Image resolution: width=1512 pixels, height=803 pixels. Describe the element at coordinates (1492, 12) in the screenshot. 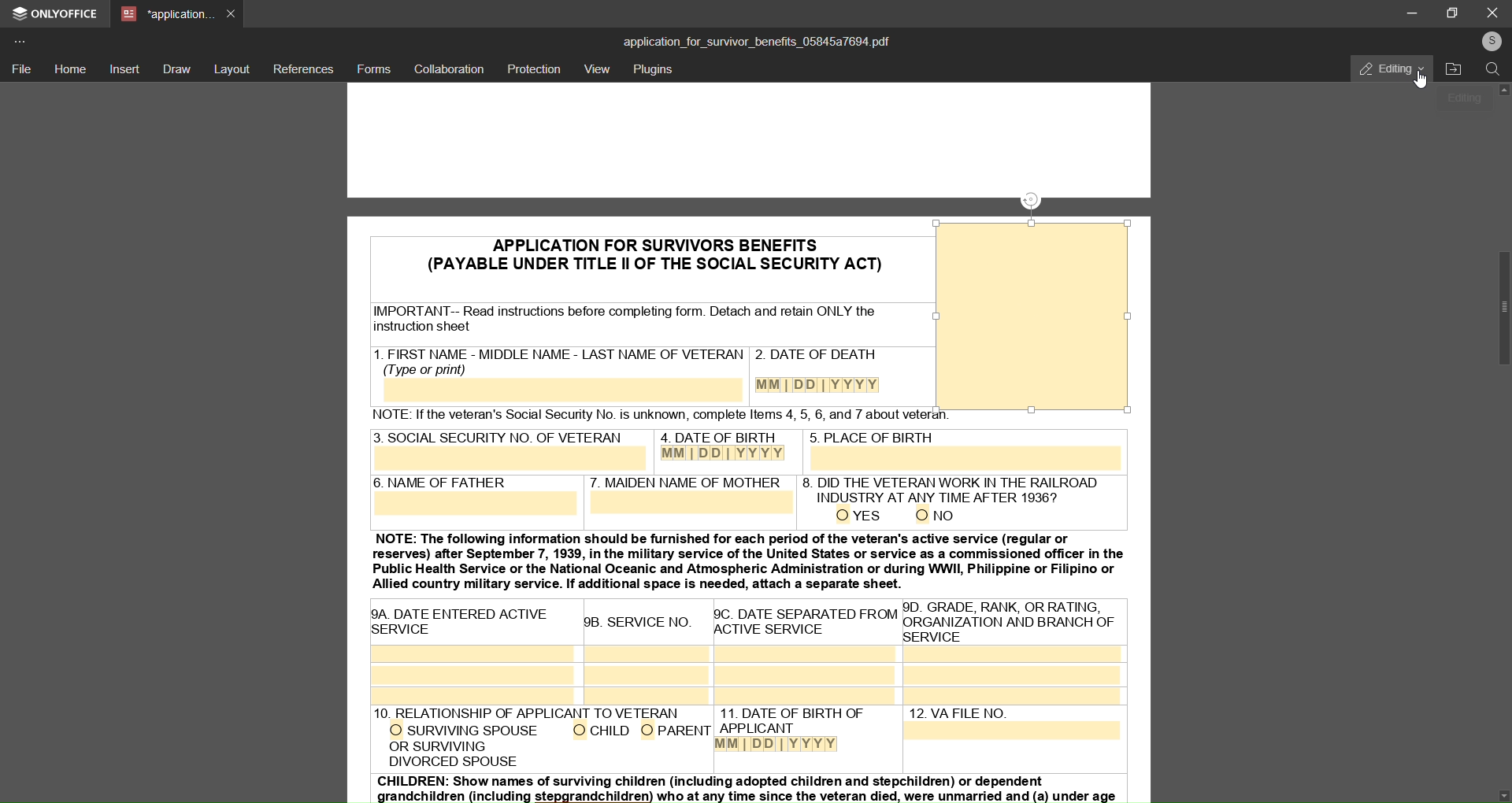

I see `close` at that location.